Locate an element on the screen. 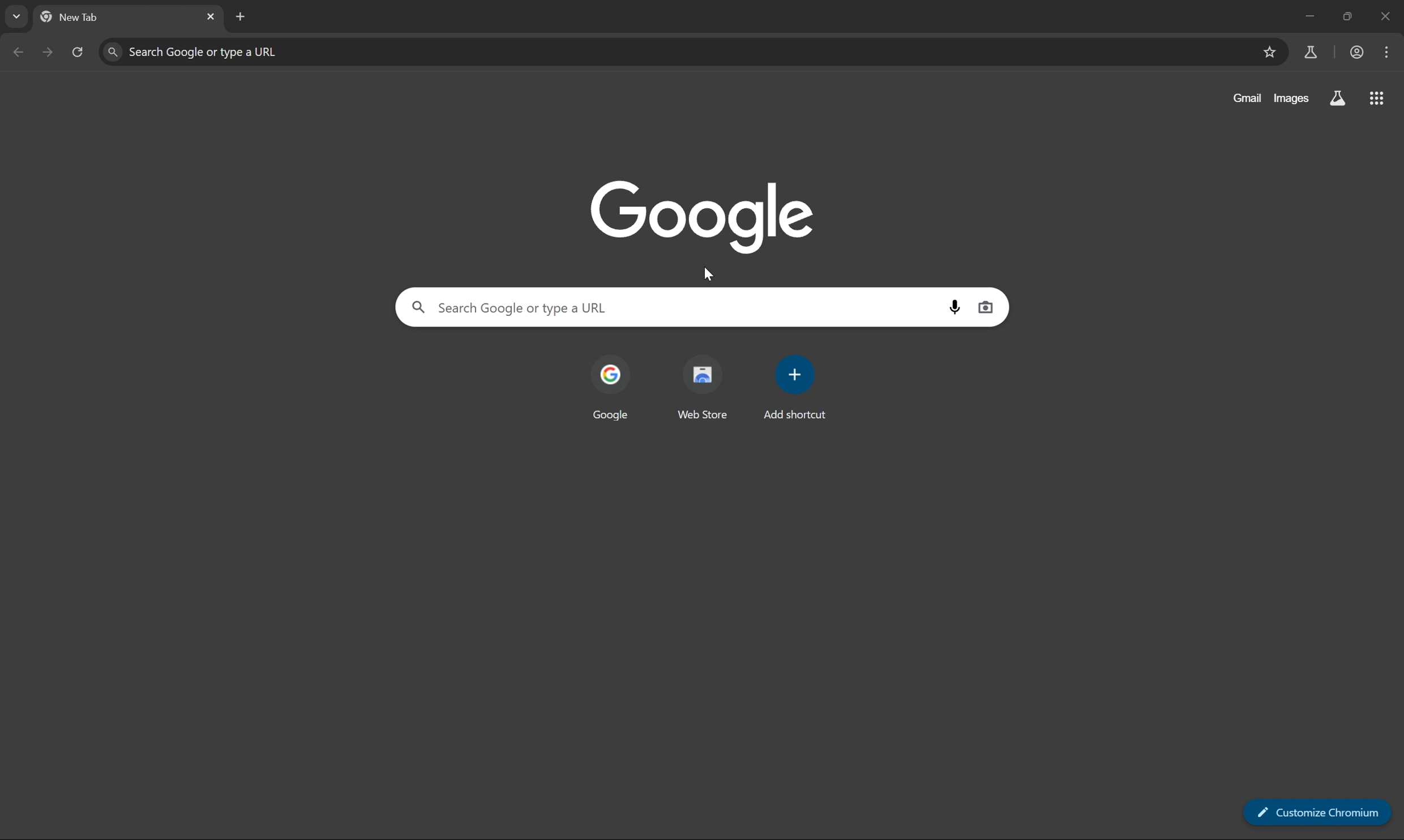  images is located at coordinates (1294, 97).